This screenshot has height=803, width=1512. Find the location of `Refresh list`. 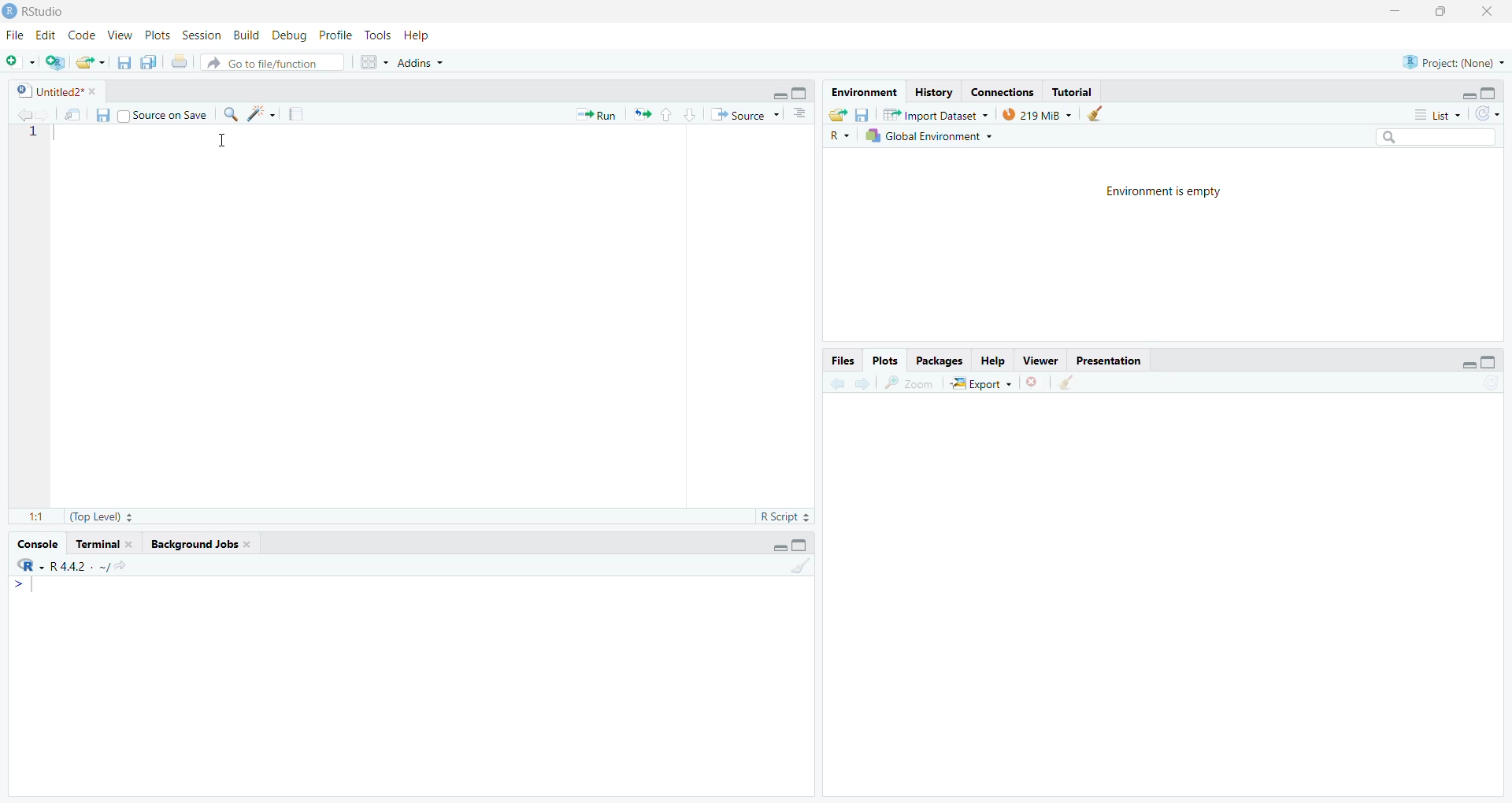

Refresh list is located at coordinates (1488, 115).